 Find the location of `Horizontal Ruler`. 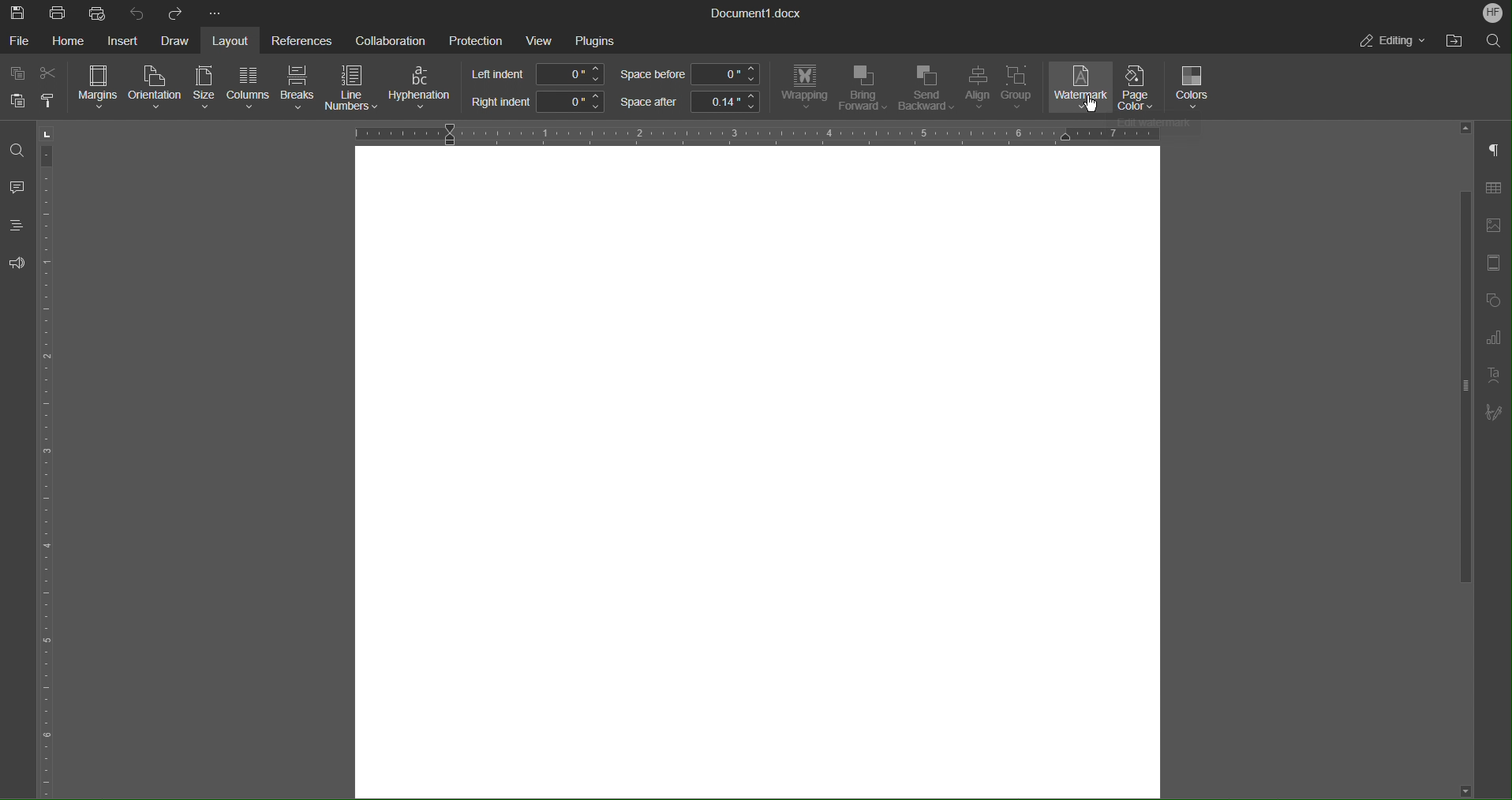

Horizontal Ruler is located at coordinates (750, 132).